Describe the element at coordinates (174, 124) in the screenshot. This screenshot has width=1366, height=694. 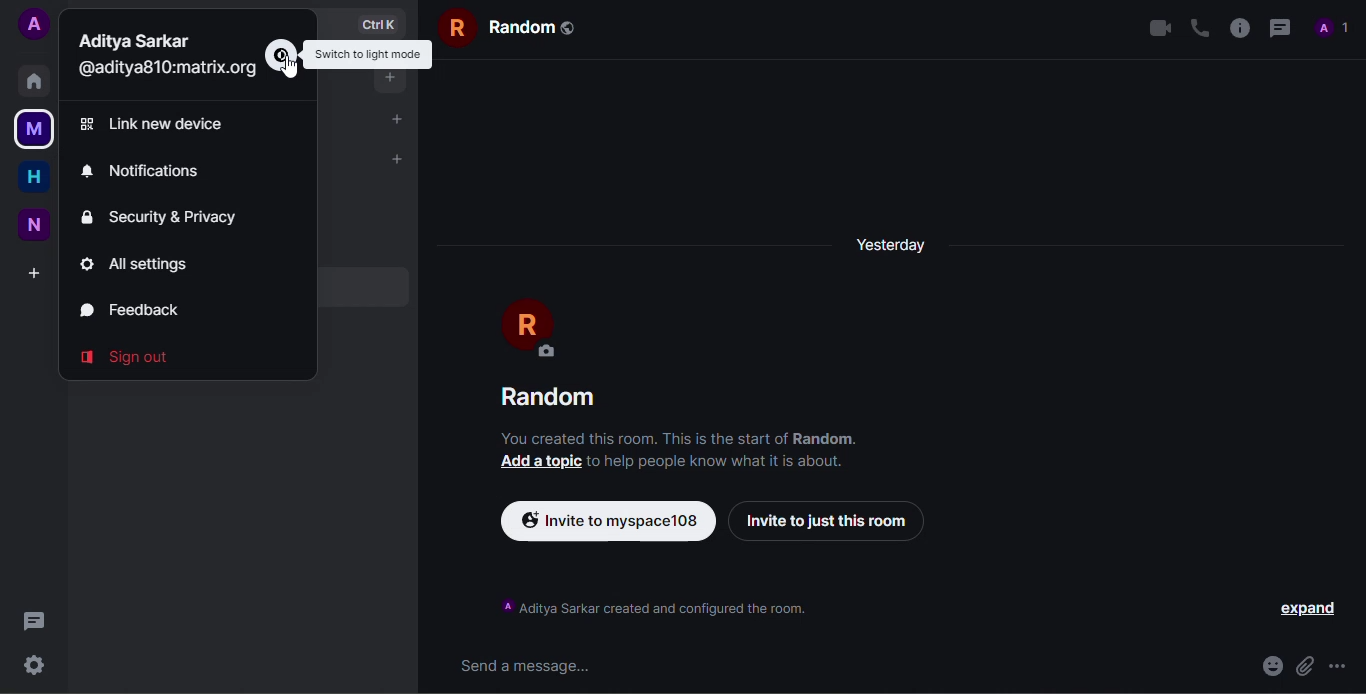
I see `link new device` at that location.